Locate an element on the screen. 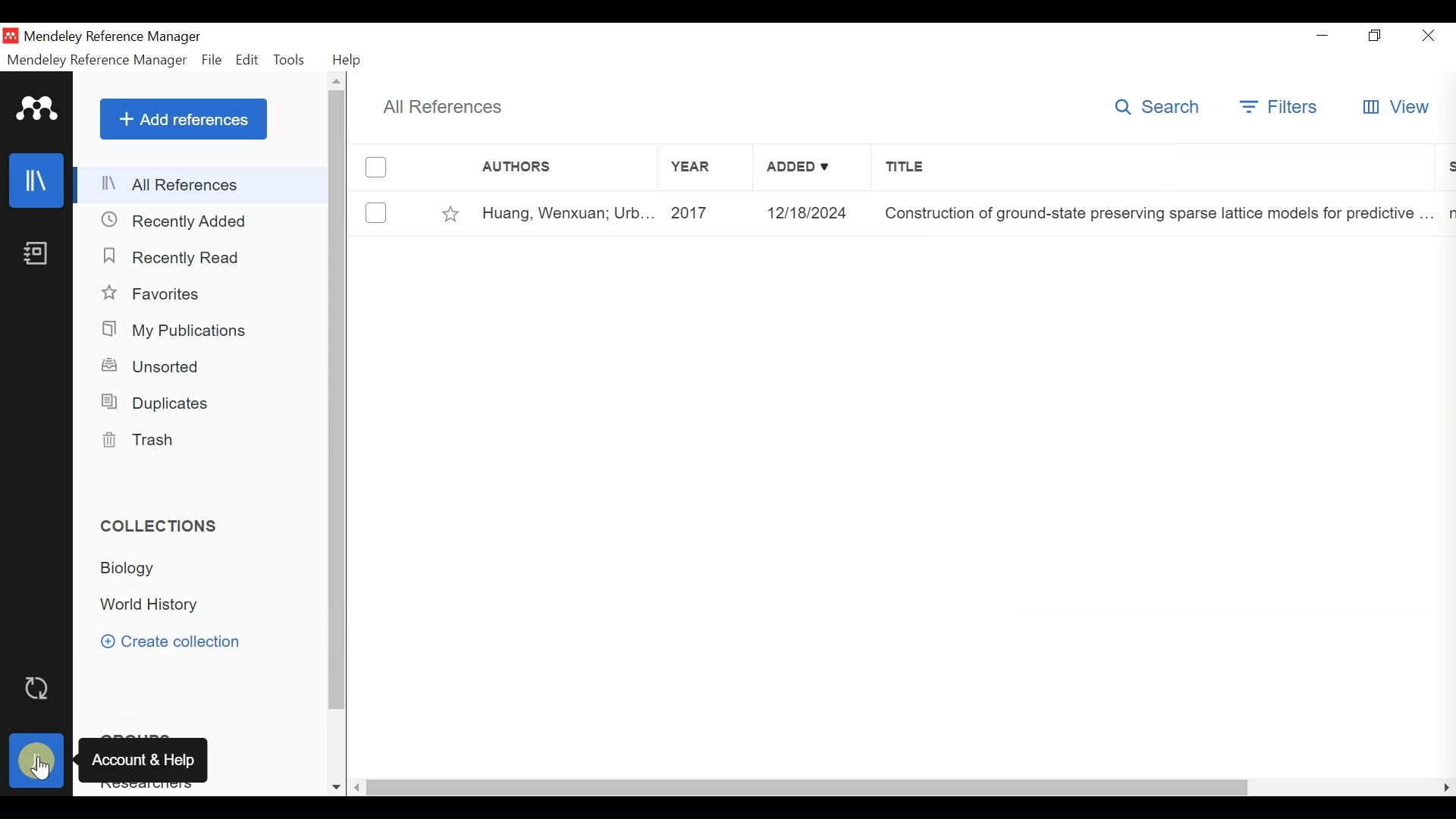 The width and height of the screenshot is (1456, 819). World History is located at coordinates (158, 607).